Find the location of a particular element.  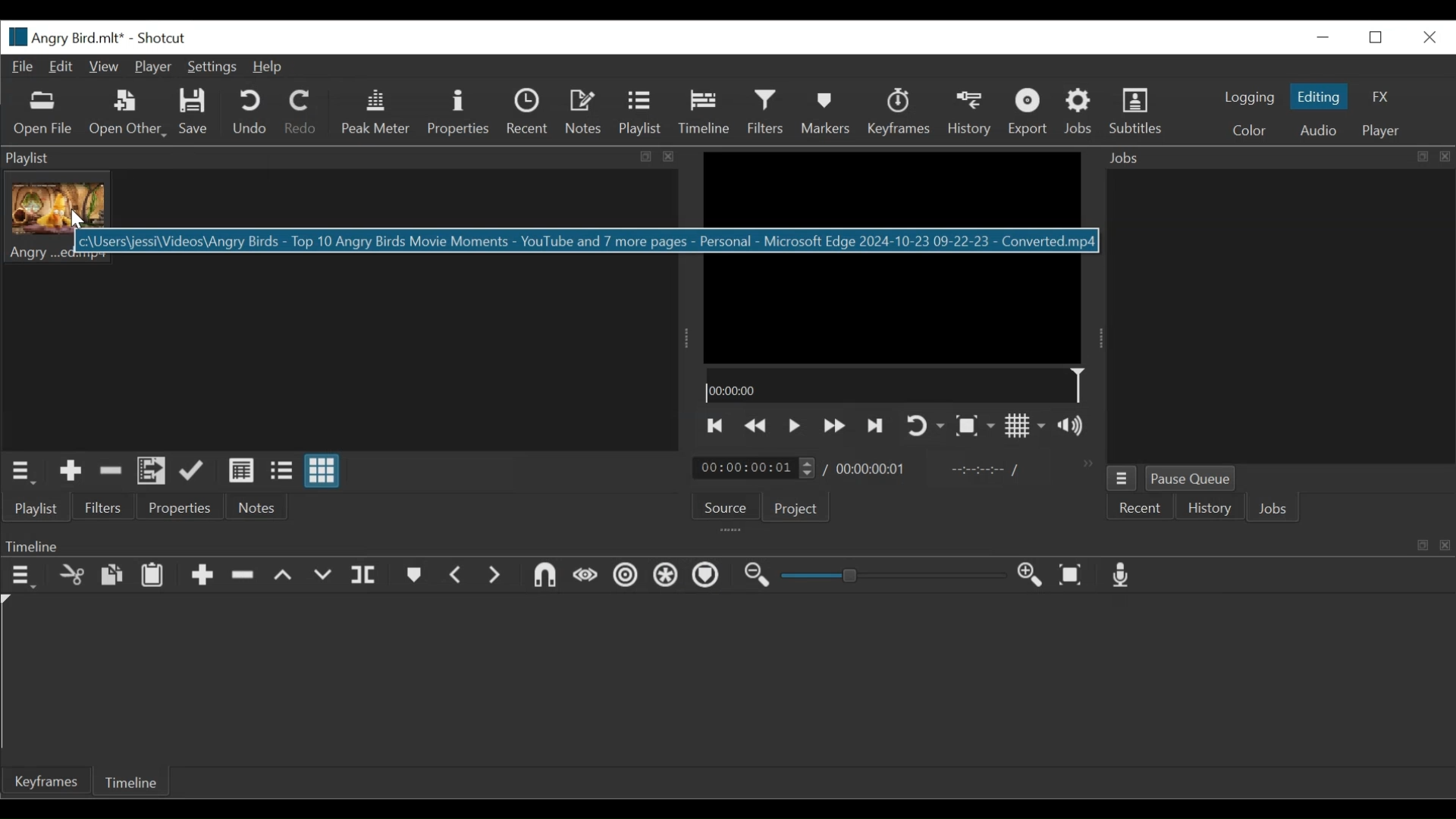

Edit is located at coordinates (63, 67).